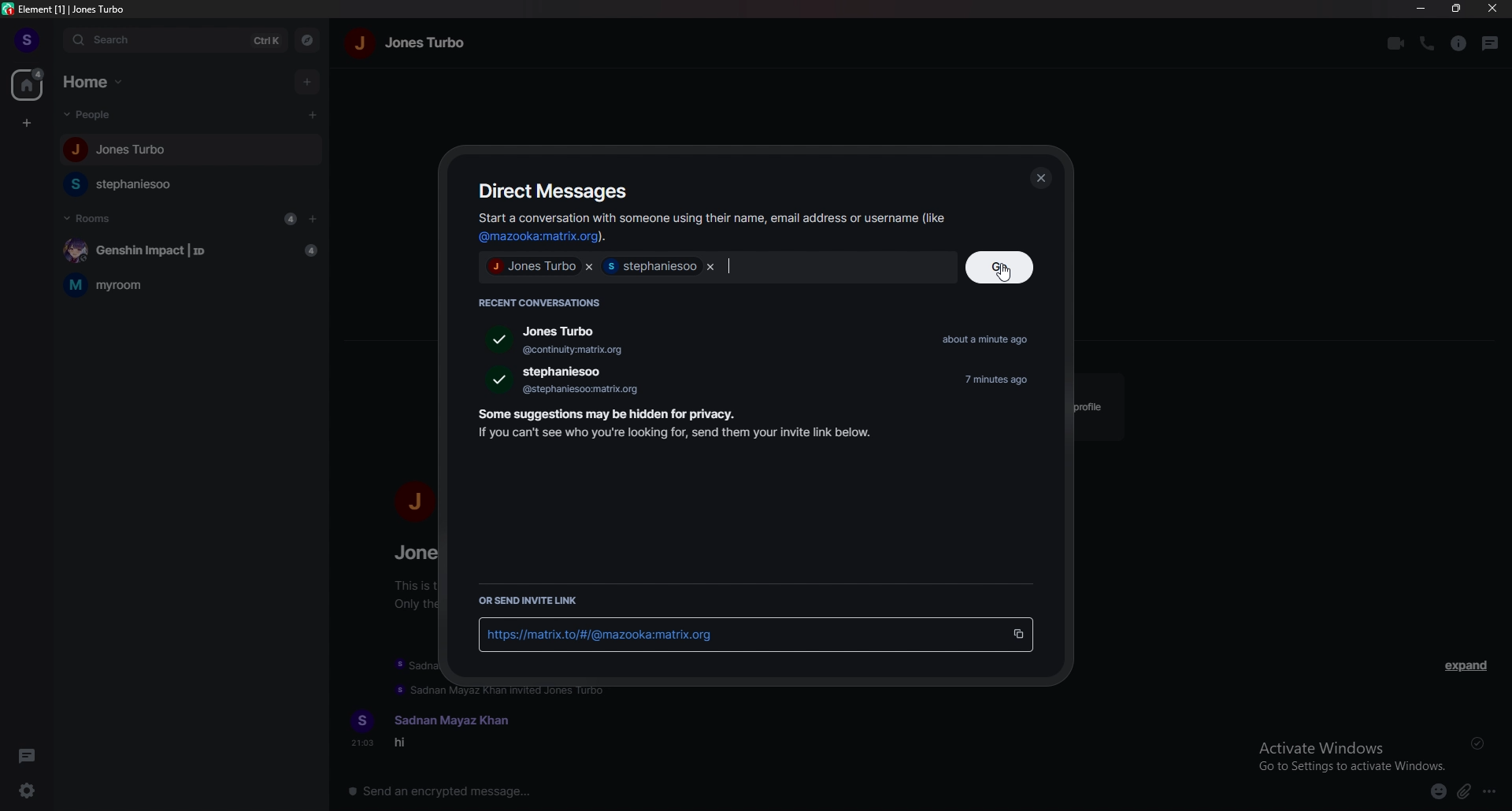 The height and width of the screenshot is (811, 1512). Describe the element at coordinates (412, 746) in the screenshot. I see `hi` at that location.